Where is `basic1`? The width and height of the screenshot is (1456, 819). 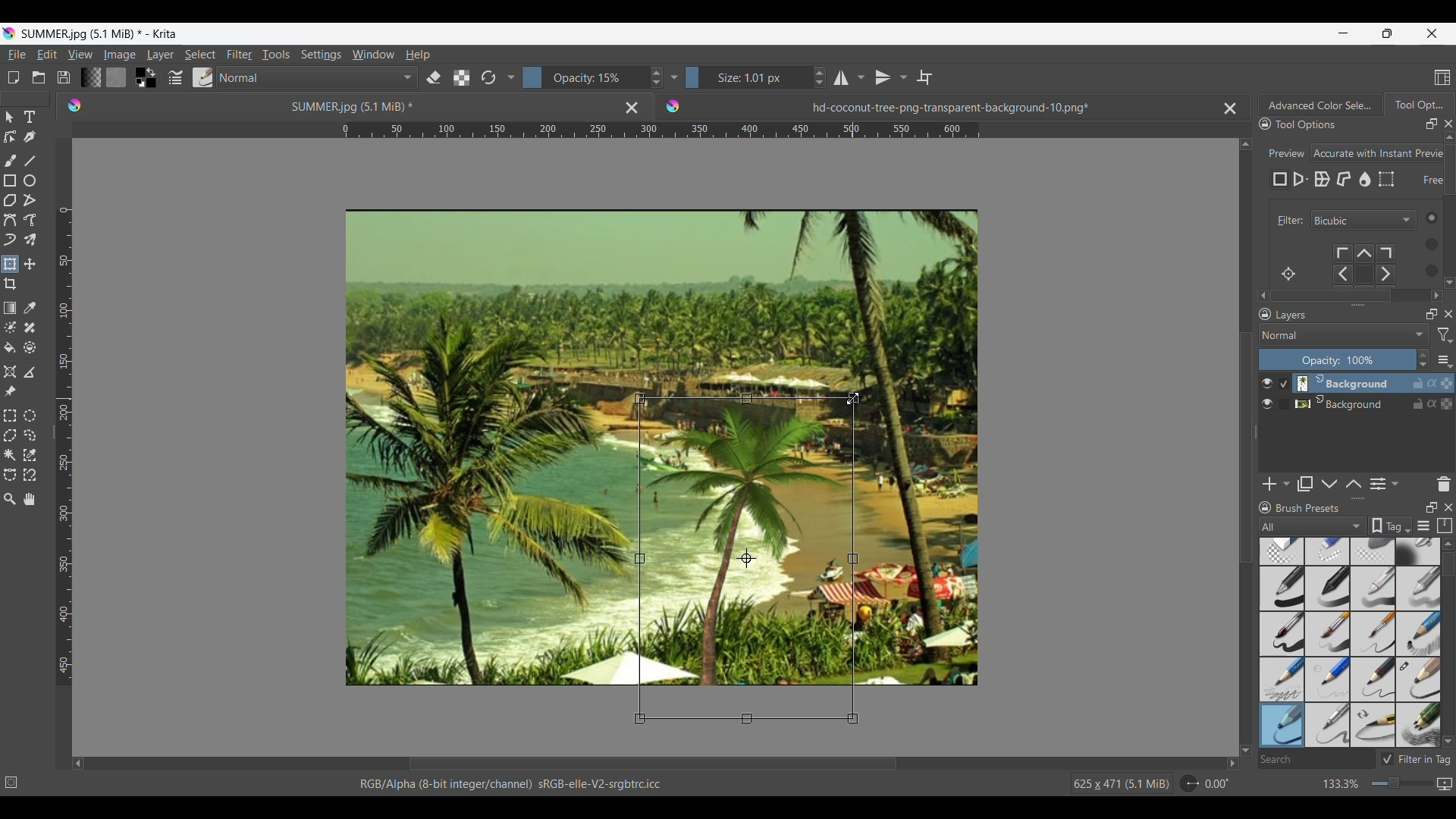
basic1 is located at coordinates (1281, 588).